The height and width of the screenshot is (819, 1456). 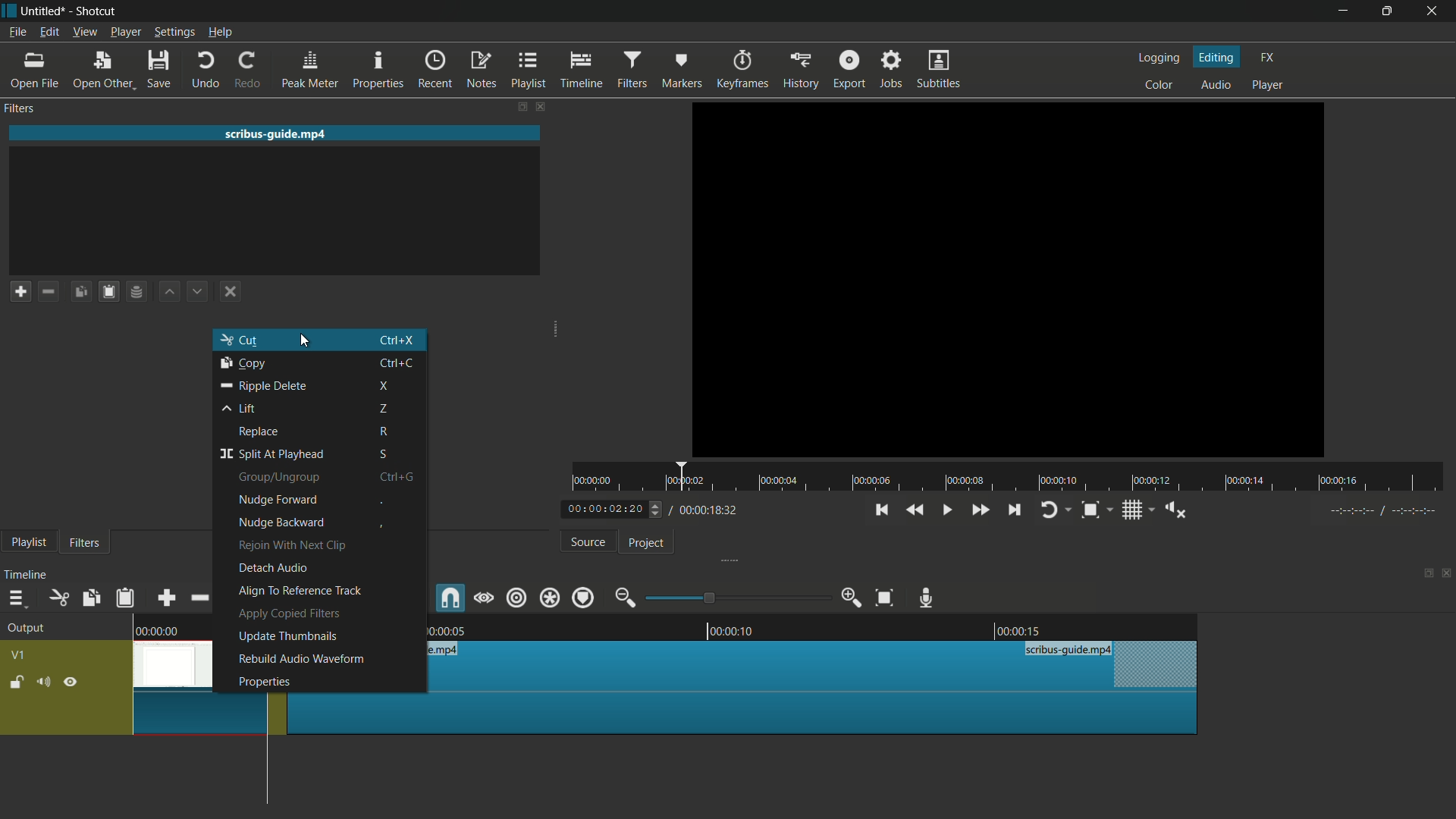 I want to click on ripple markers, so click(x=584, y=597).